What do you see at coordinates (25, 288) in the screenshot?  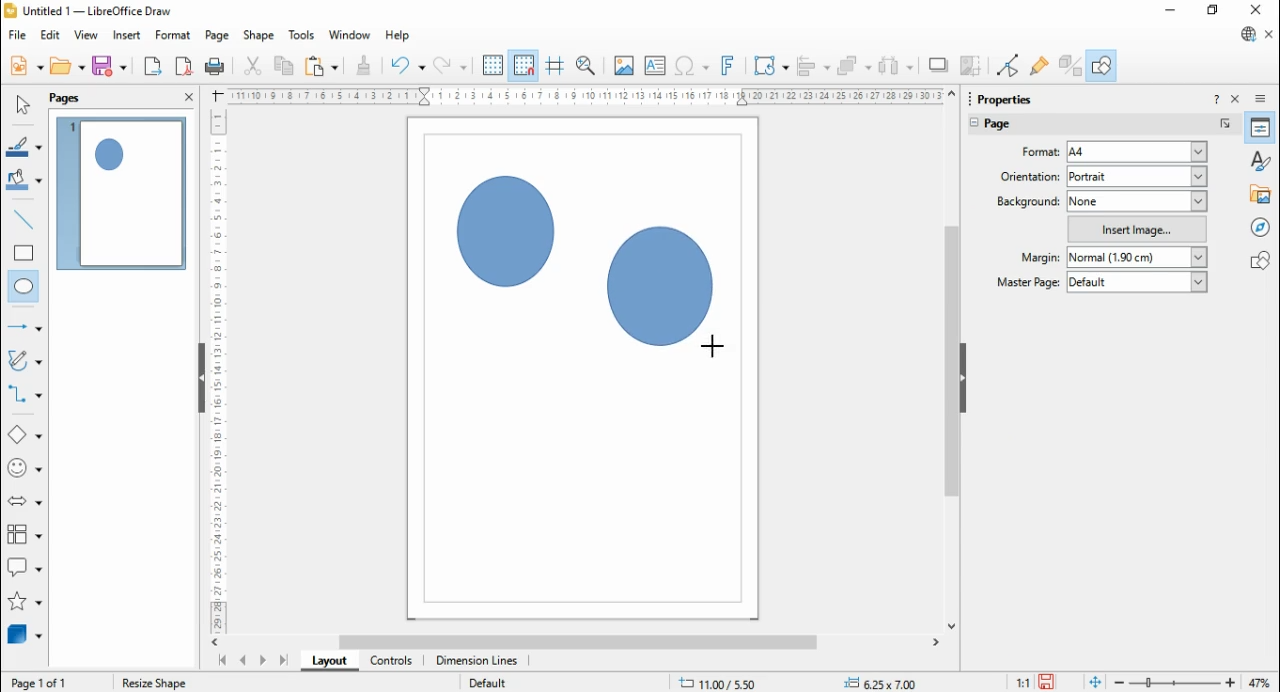 I see `ellipse` at bounding box center [25, 288].